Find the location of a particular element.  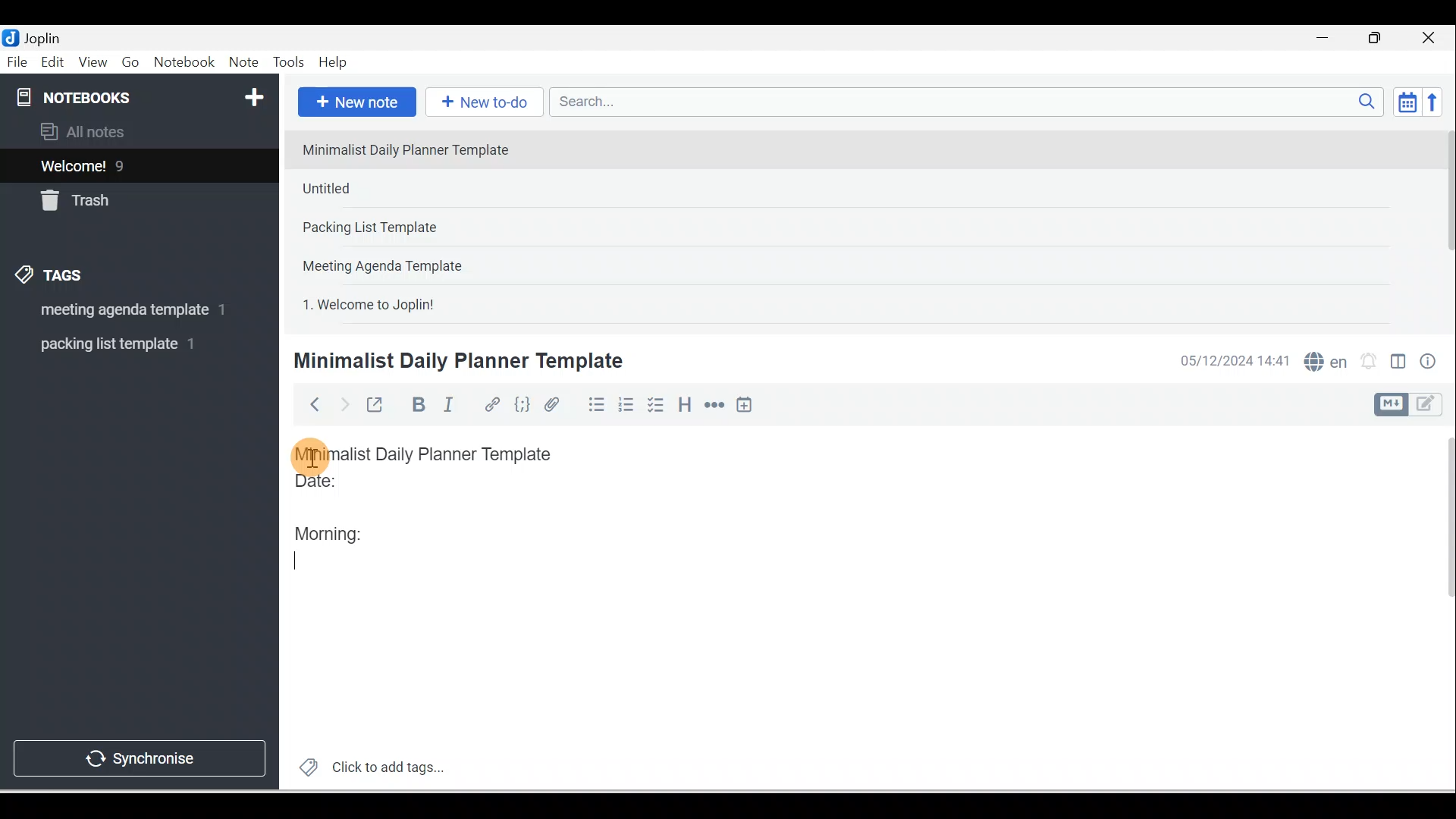

View is located at coordinates (93, 63).